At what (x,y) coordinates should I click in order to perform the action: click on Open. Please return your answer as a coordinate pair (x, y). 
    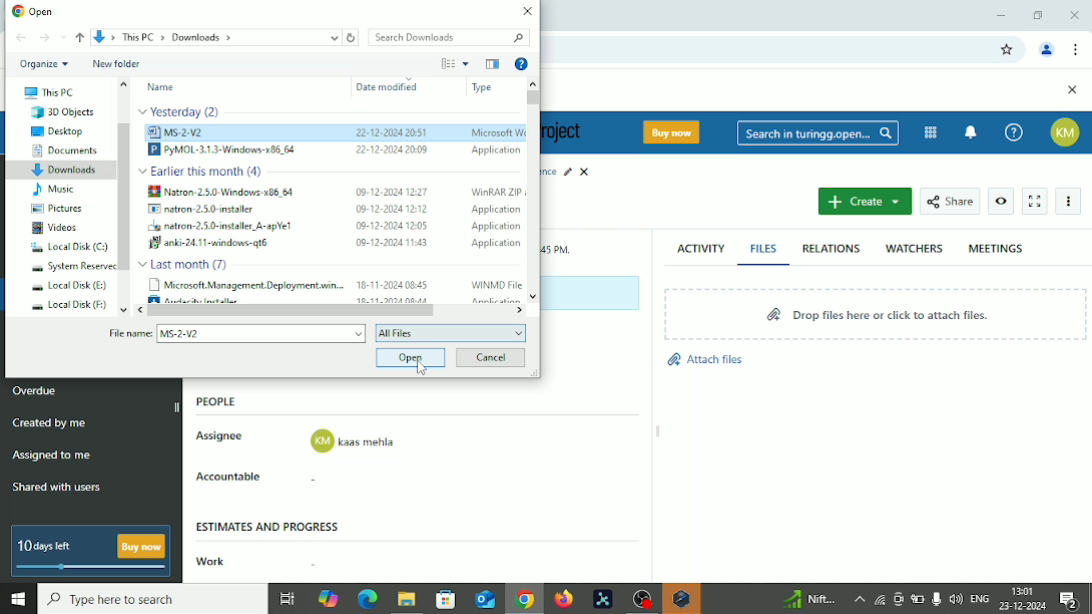
    Looking at the image, I should click on (412, 358).